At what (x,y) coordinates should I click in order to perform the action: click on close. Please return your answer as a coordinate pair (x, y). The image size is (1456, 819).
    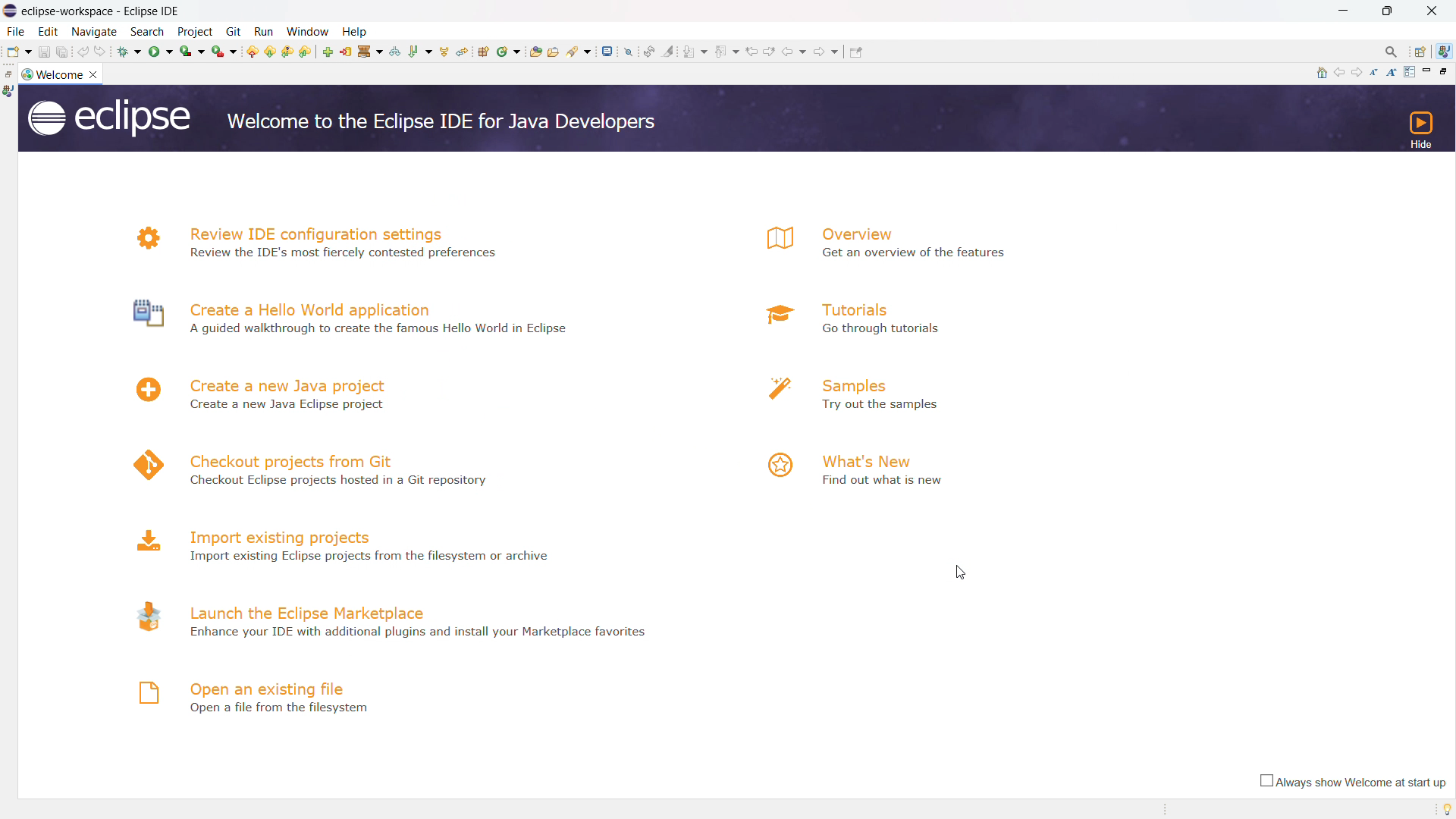
    Looking at the image, I should click on (1433, 11).